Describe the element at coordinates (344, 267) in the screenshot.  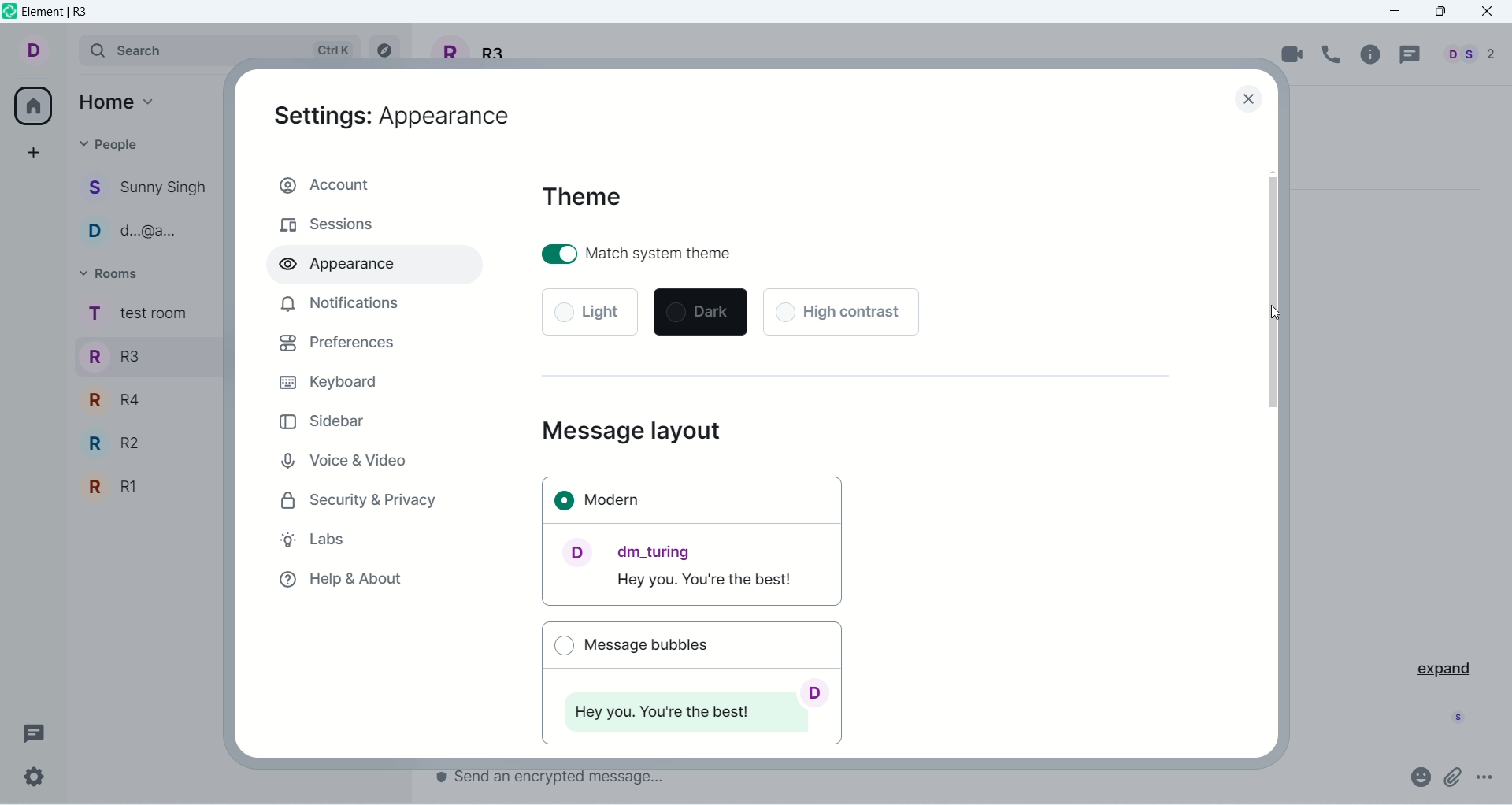
I see `appearance` at that location.